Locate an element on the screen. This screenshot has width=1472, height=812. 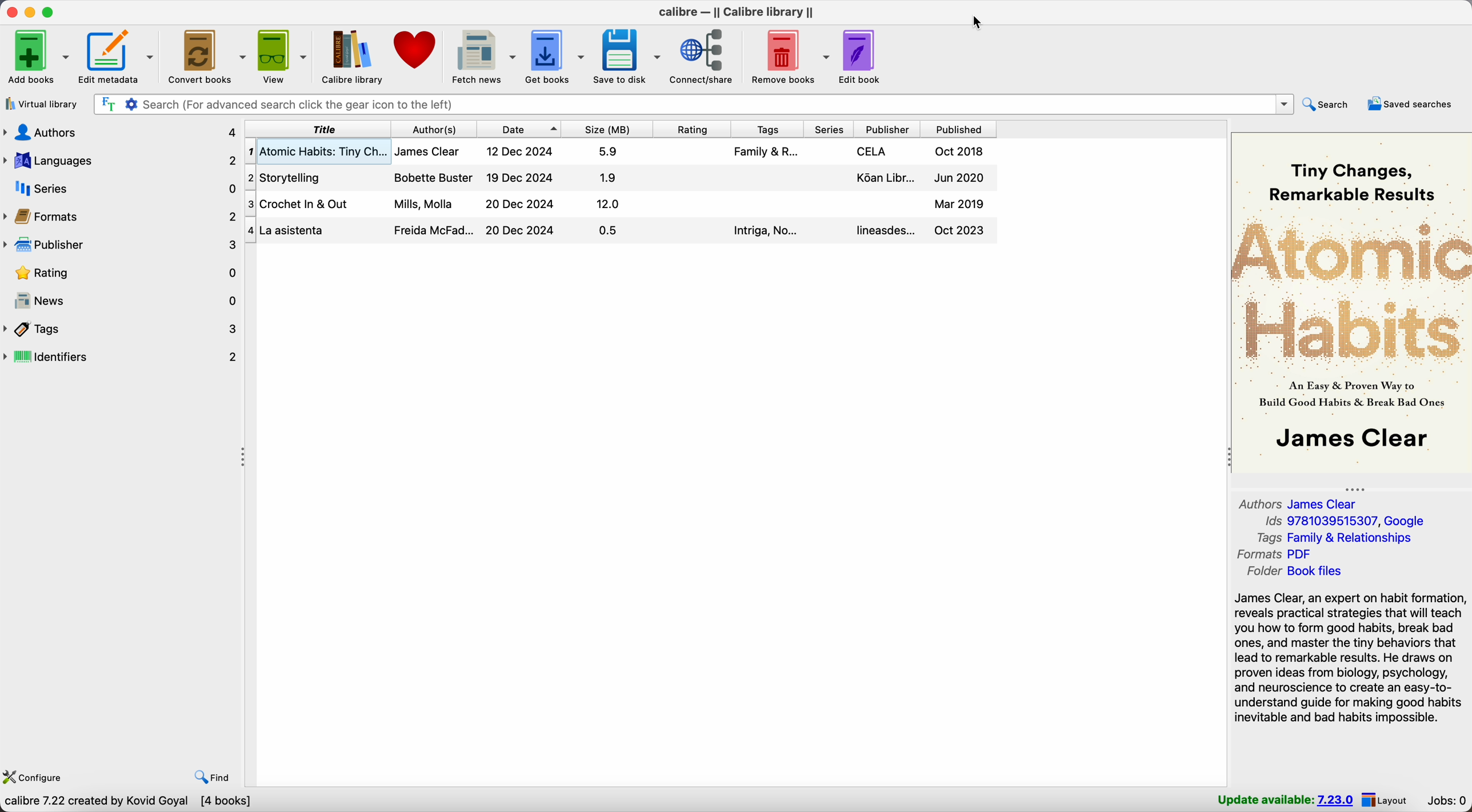
La Asistenta book is located at coordinates (622, 232).